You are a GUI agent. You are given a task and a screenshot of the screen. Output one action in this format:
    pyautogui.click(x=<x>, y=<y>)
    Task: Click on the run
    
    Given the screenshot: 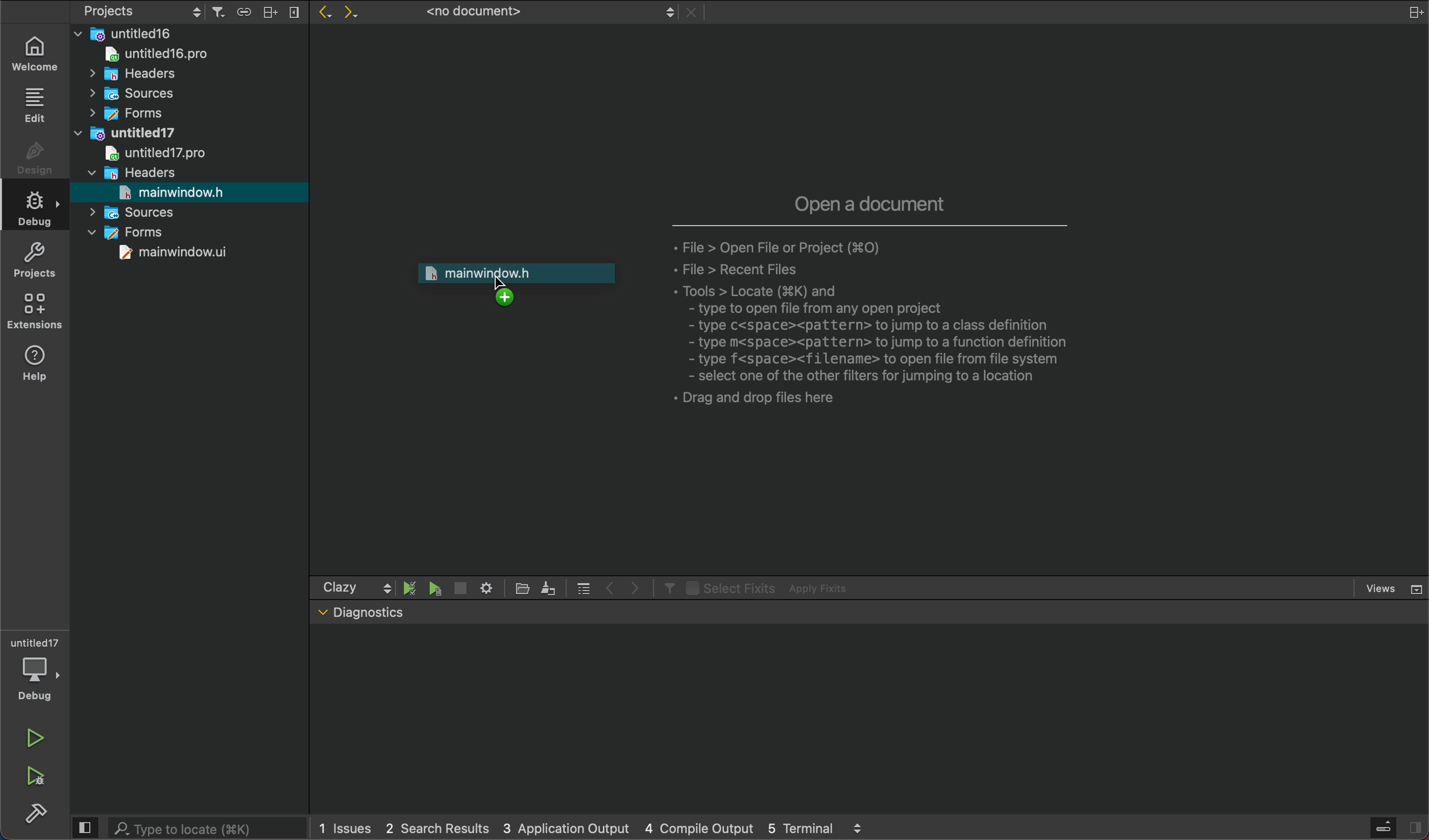 What is the action you would take?
    pyautogui.click(x=35, y=738)
    